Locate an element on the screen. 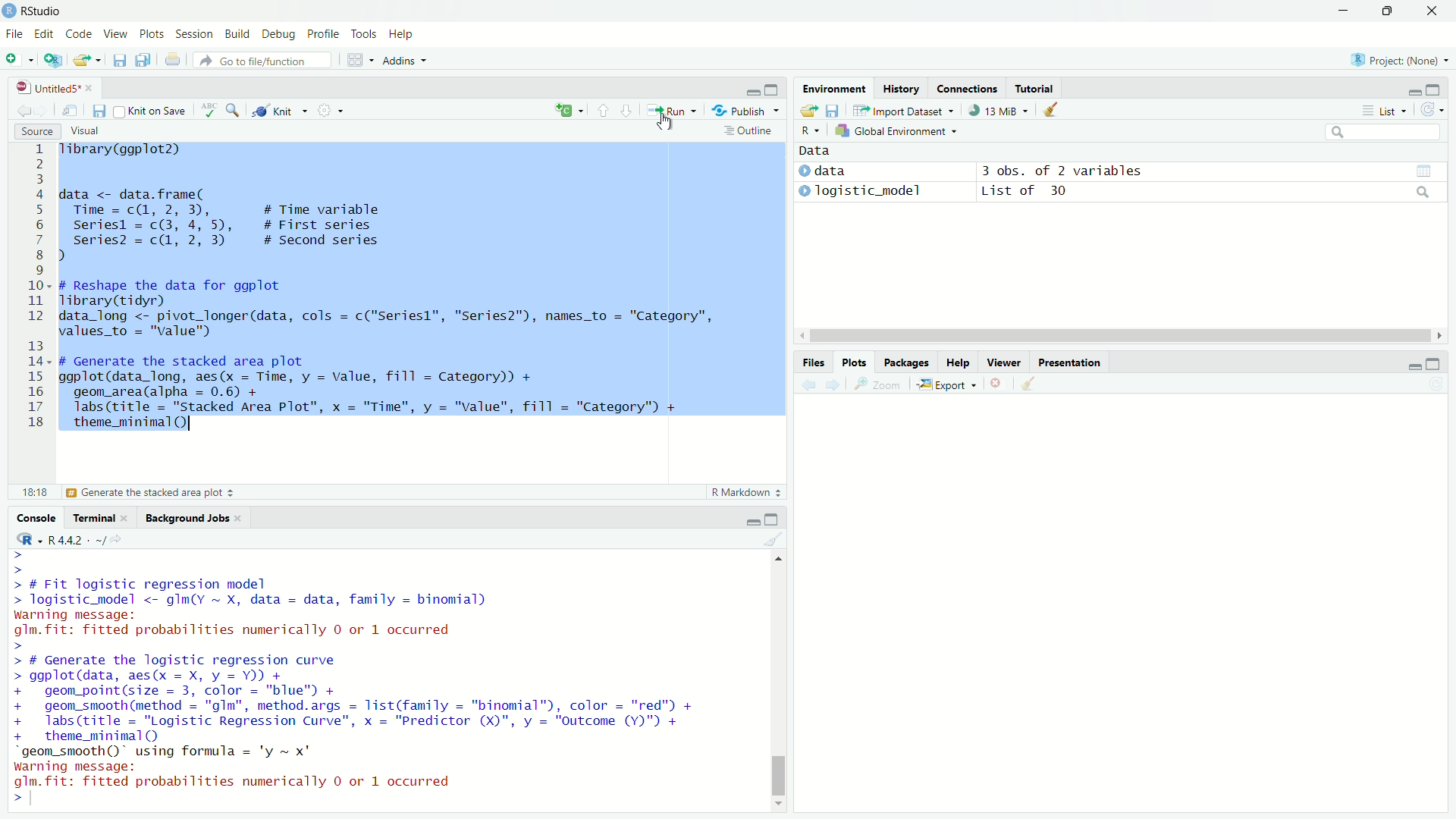 The width and height of the screenshot is (1456, 819). ) data 3 obs. of 2 variables
» Togistic_model List of 30 is located at coordinates (982, 180).